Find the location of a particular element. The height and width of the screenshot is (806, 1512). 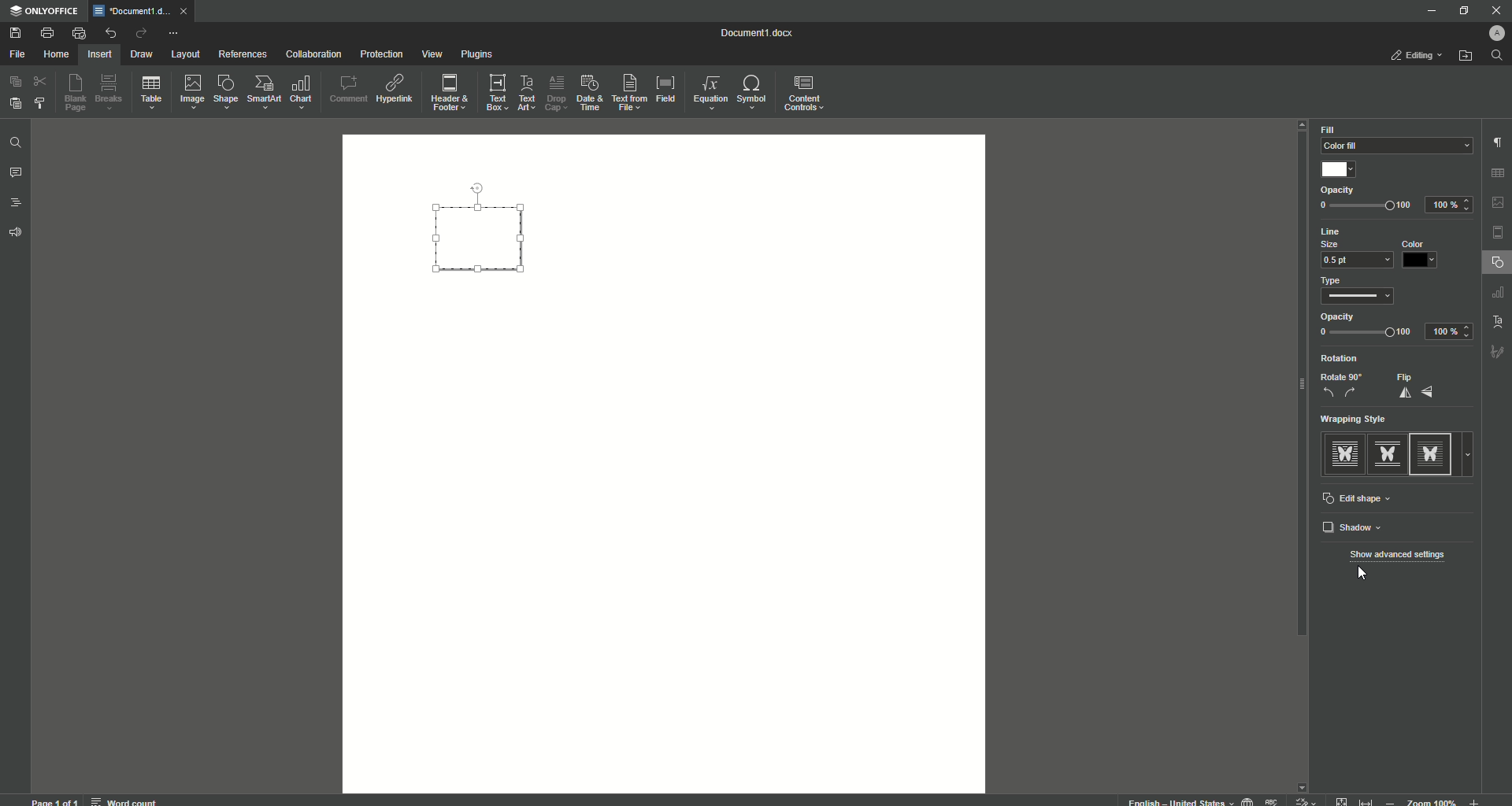

HEADER & FOOTER is located at coordinates (1498, 233).